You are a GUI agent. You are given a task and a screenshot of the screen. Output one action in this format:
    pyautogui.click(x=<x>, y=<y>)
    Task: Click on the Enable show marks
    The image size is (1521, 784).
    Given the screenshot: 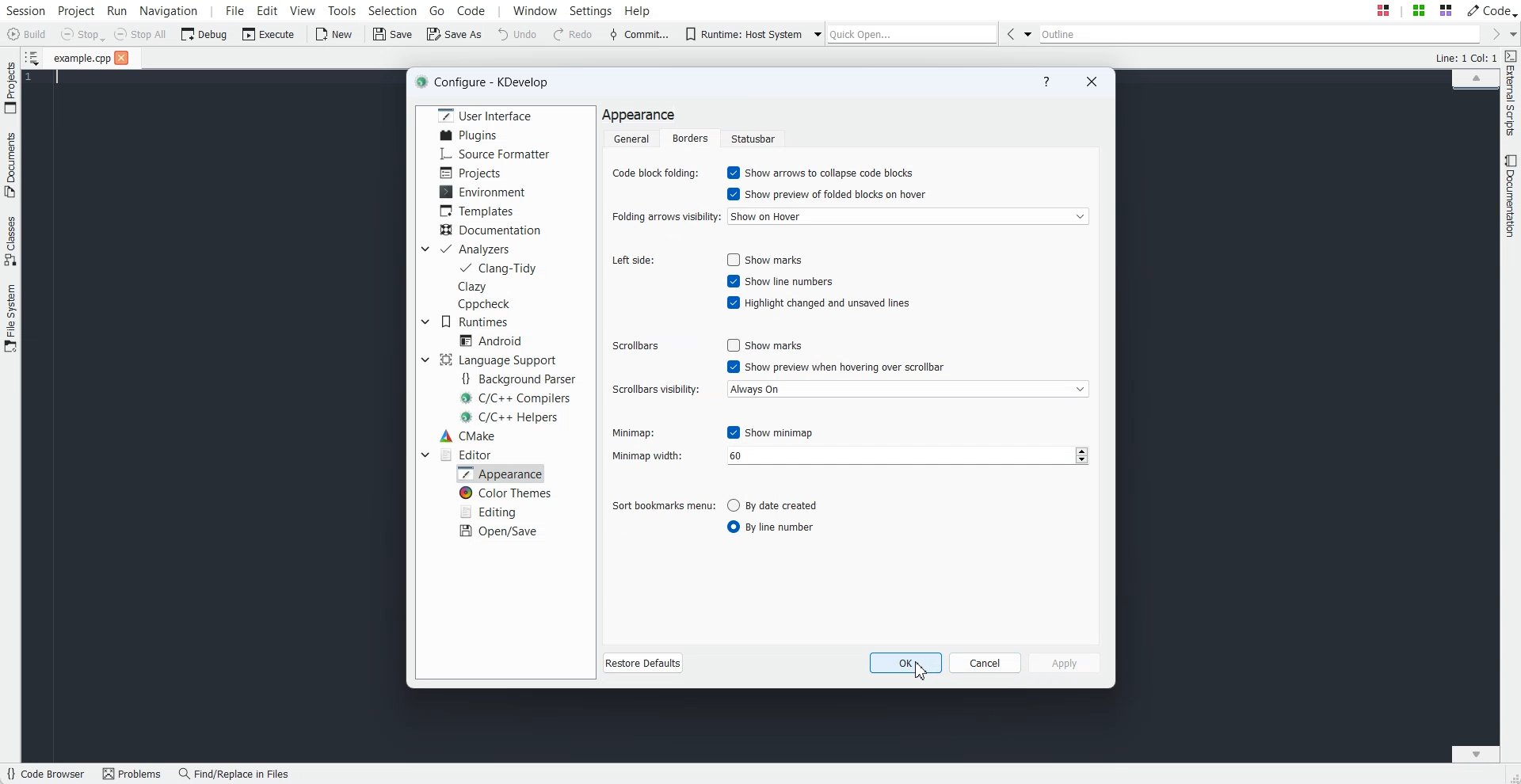 What is the action you would take?
    pyautogui.click(x=769, y=260)
    